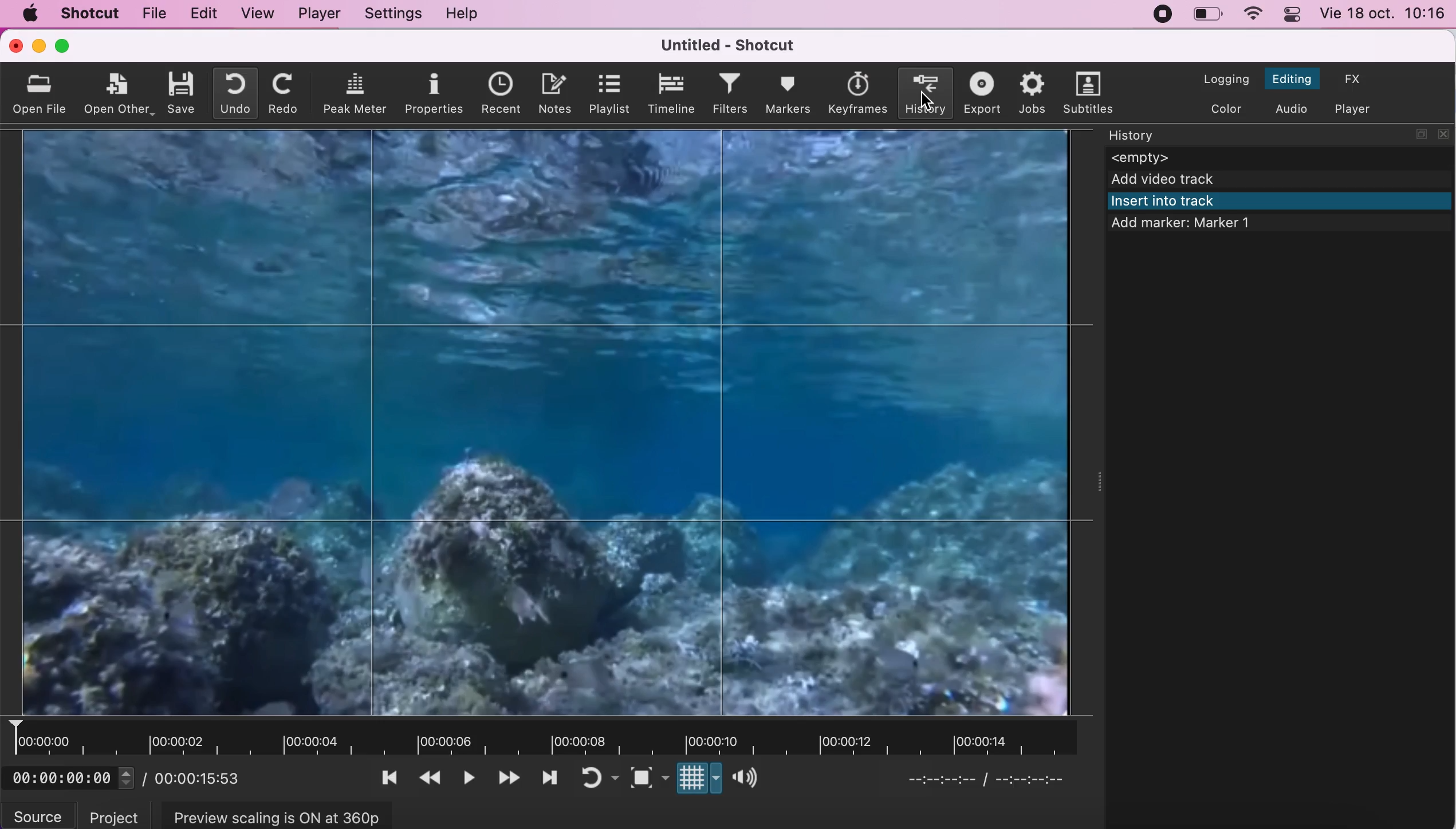 The image size is (1456, 829). Describe the element at coordinates (1445, 133) in the screenshot. I see `close panel` at that location.